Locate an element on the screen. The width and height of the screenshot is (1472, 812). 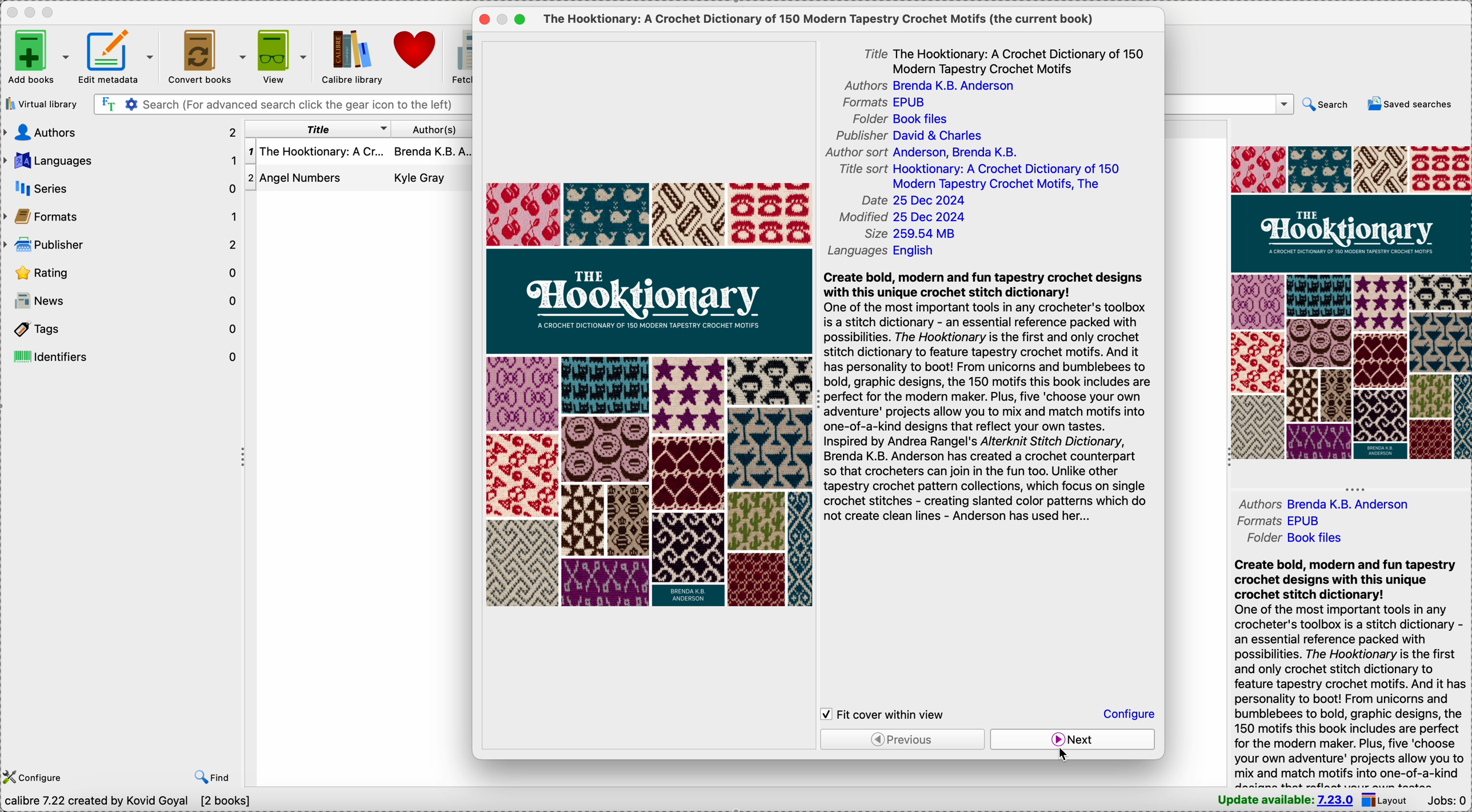
search is located at coordinates (1327, 105).